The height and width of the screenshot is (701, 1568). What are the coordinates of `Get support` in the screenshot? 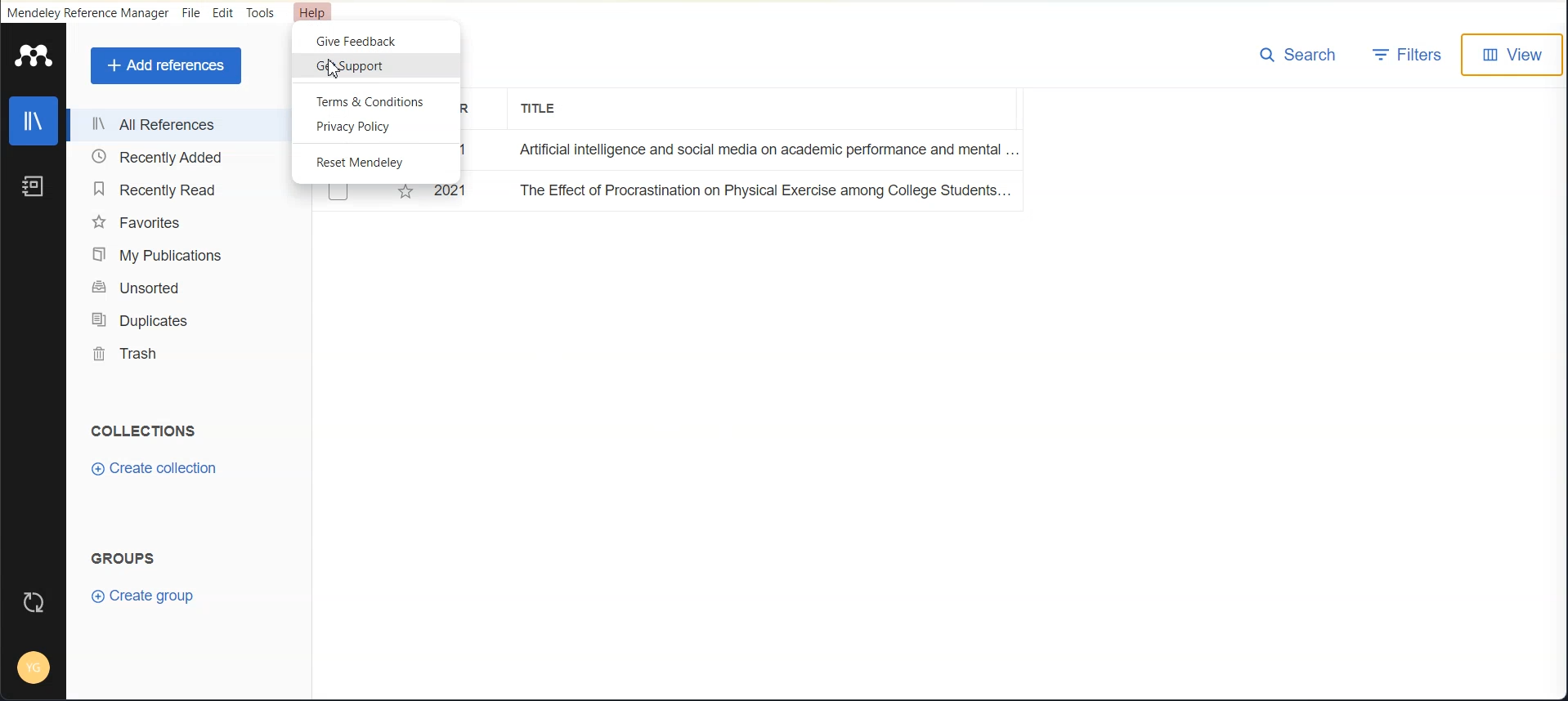 It's located at (377, 65).